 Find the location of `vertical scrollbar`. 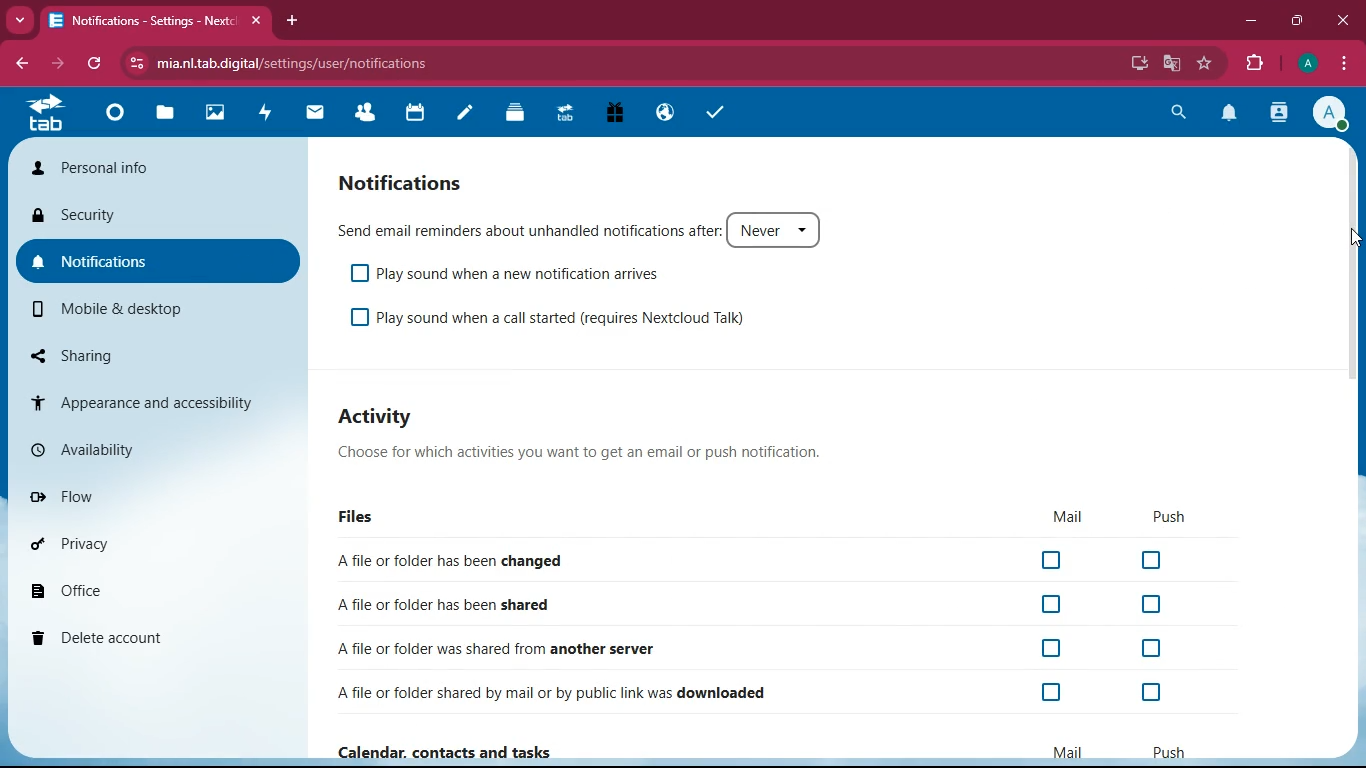

vertical scrollbar is located at coordinates (1351, 264).